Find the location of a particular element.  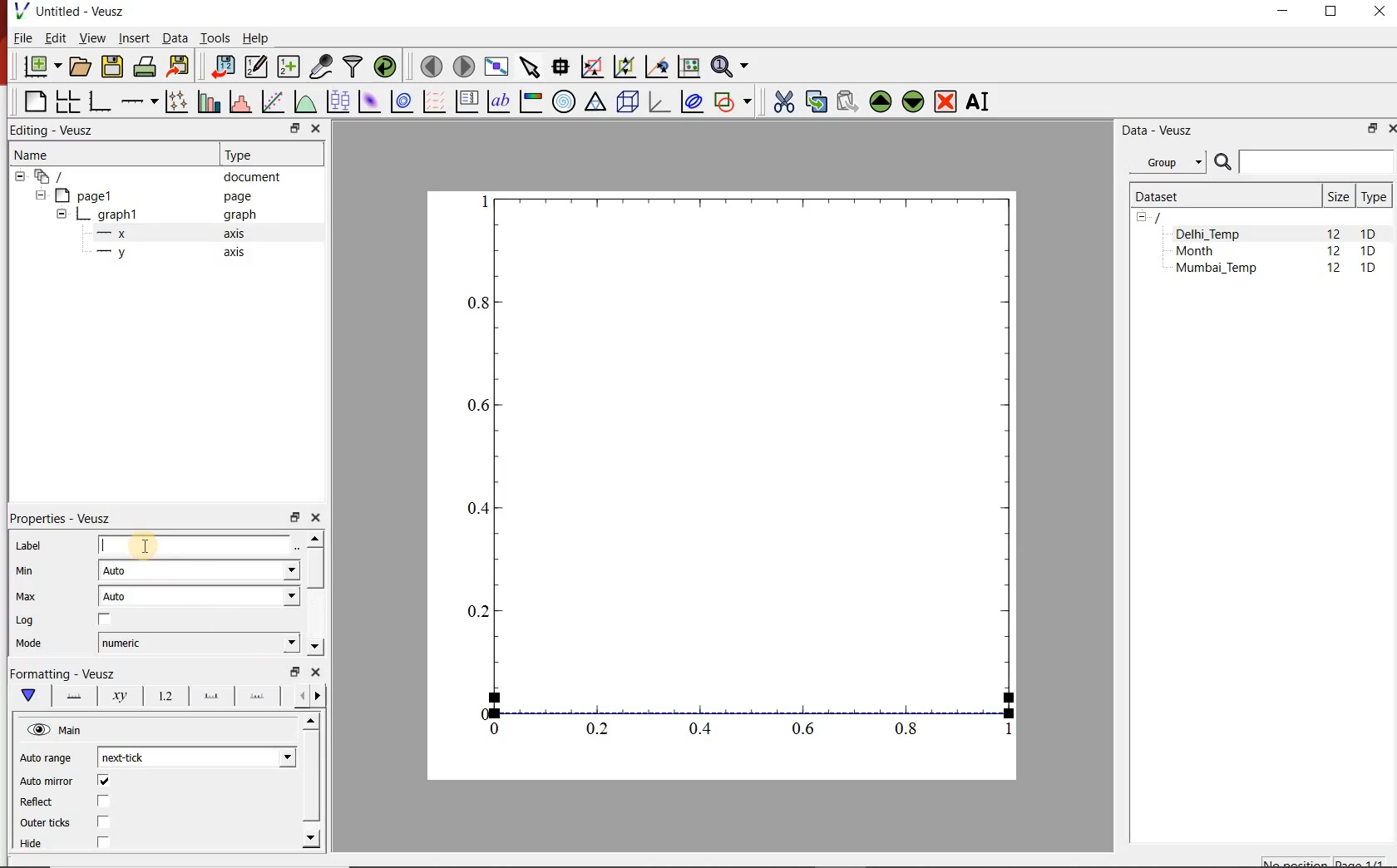

graph1 is located at coordinates (158, 215).